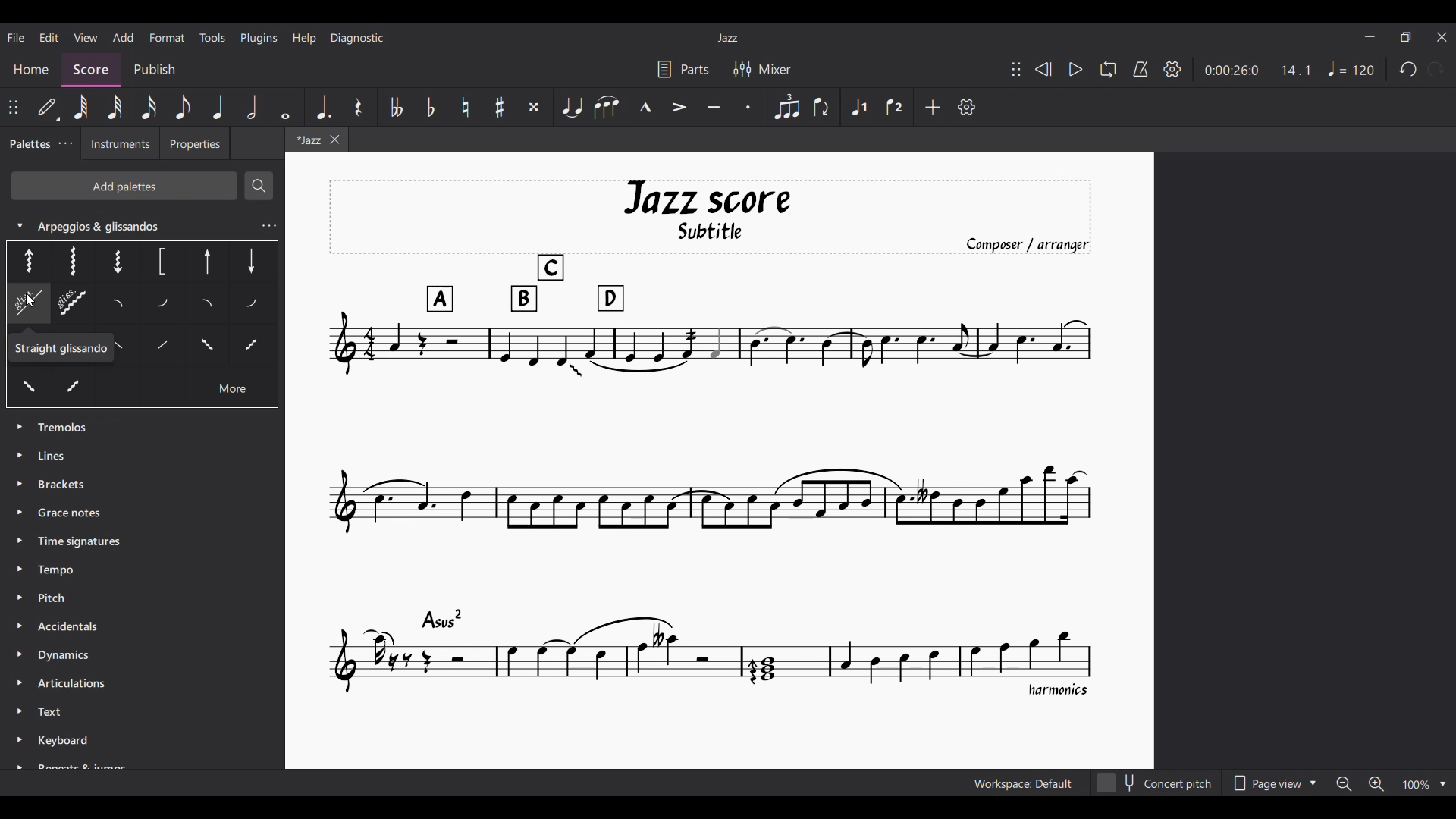  Describe the element at coordinates (67, 428) in the screenshot. I see `Palette options` at that location.